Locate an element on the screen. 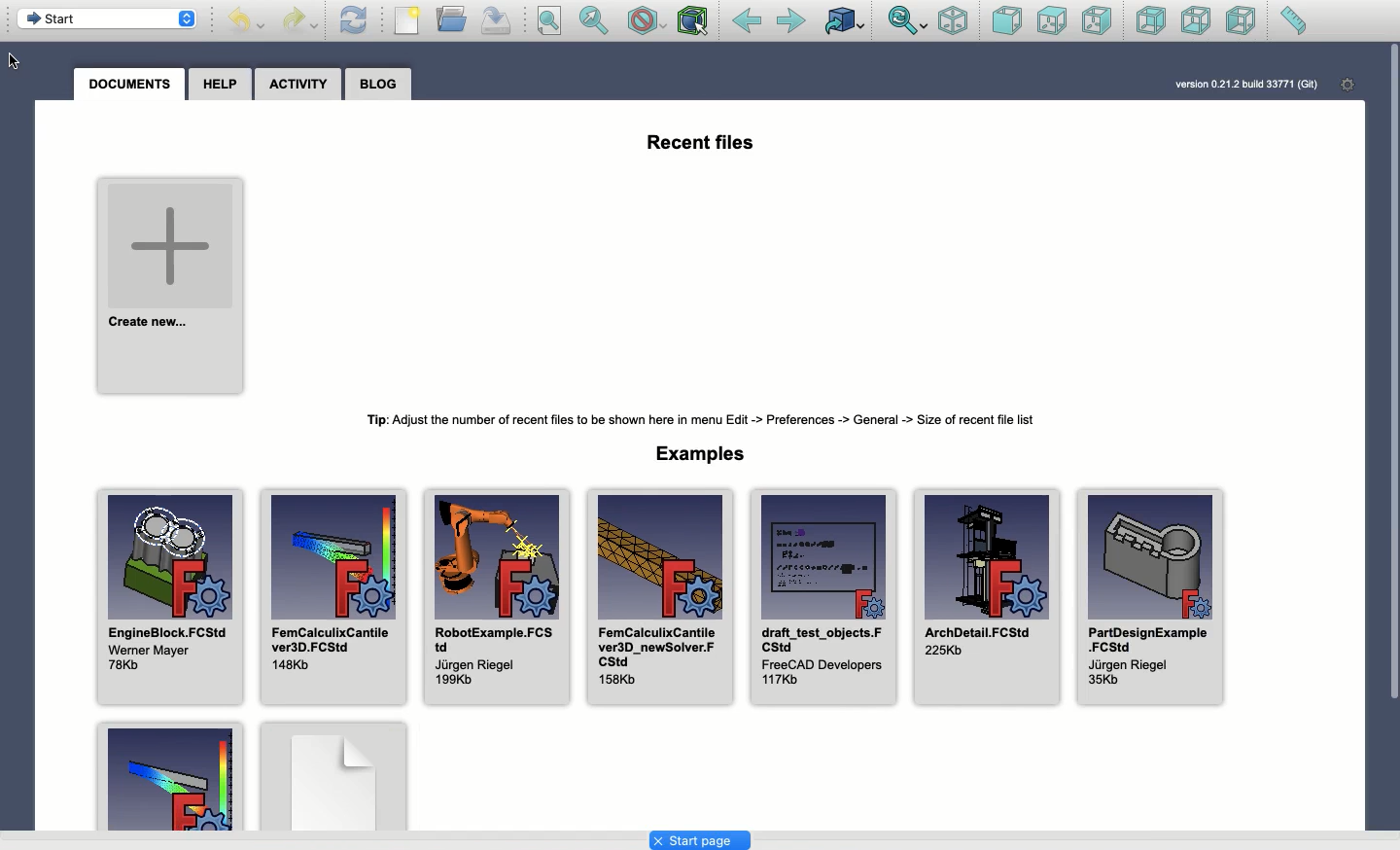 The width and height of the screenshot is (1400, 850). draft_test_objects.FCStd is located at coordinates (822, 598).